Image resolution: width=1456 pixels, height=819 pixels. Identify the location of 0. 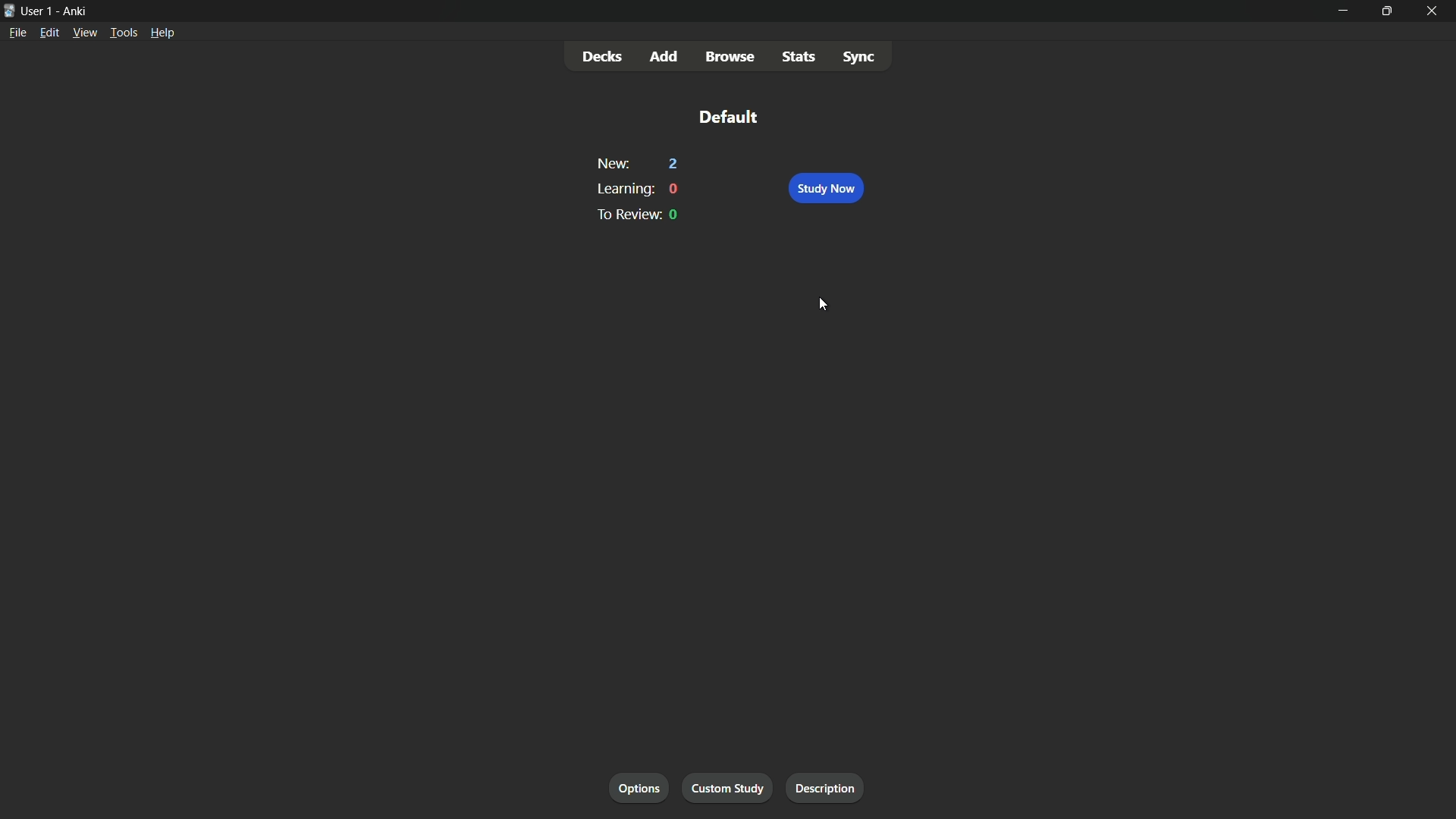
(676, 214).